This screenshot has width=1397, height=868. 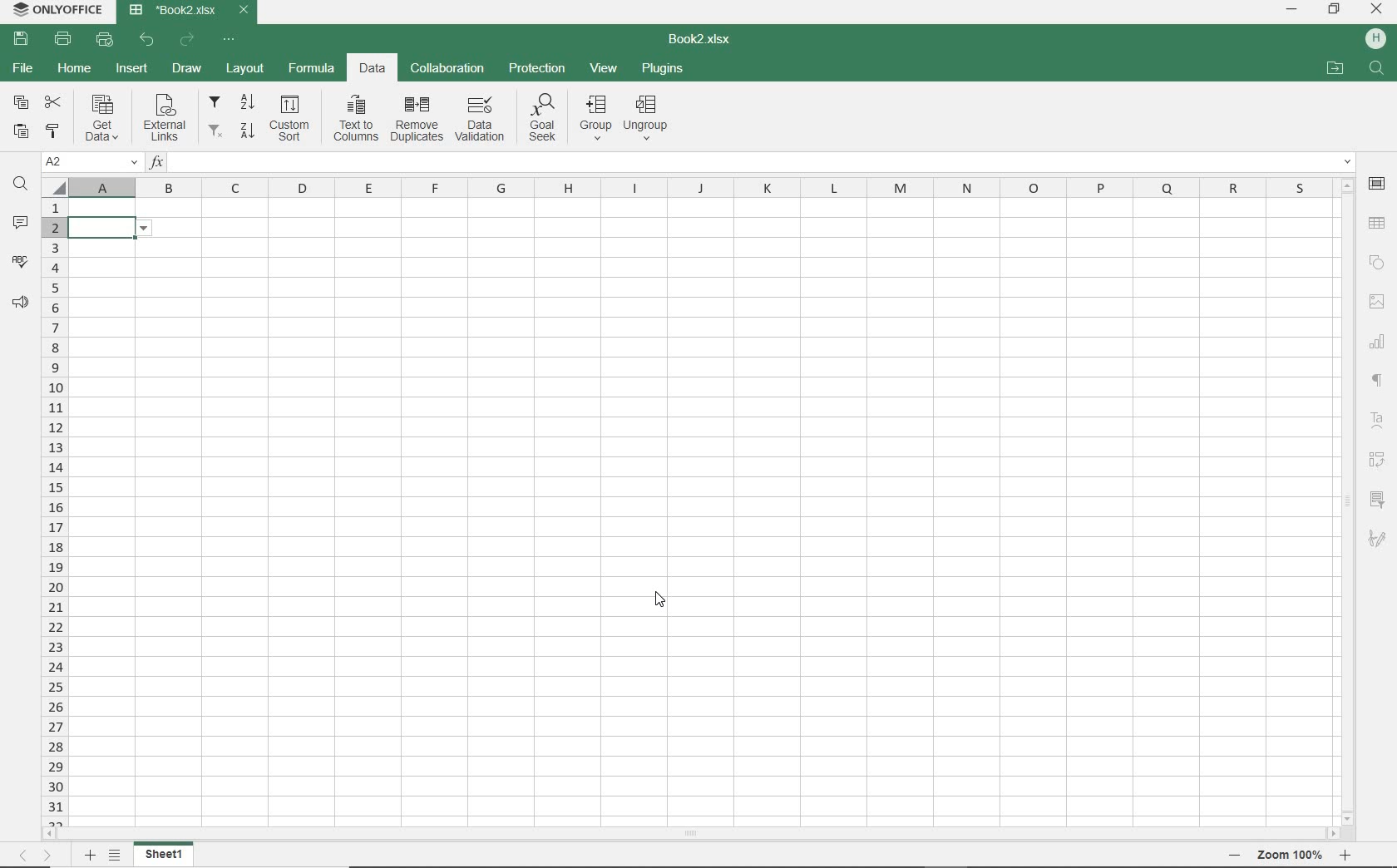 I want to click on HOME, so click(x=76, y=70).